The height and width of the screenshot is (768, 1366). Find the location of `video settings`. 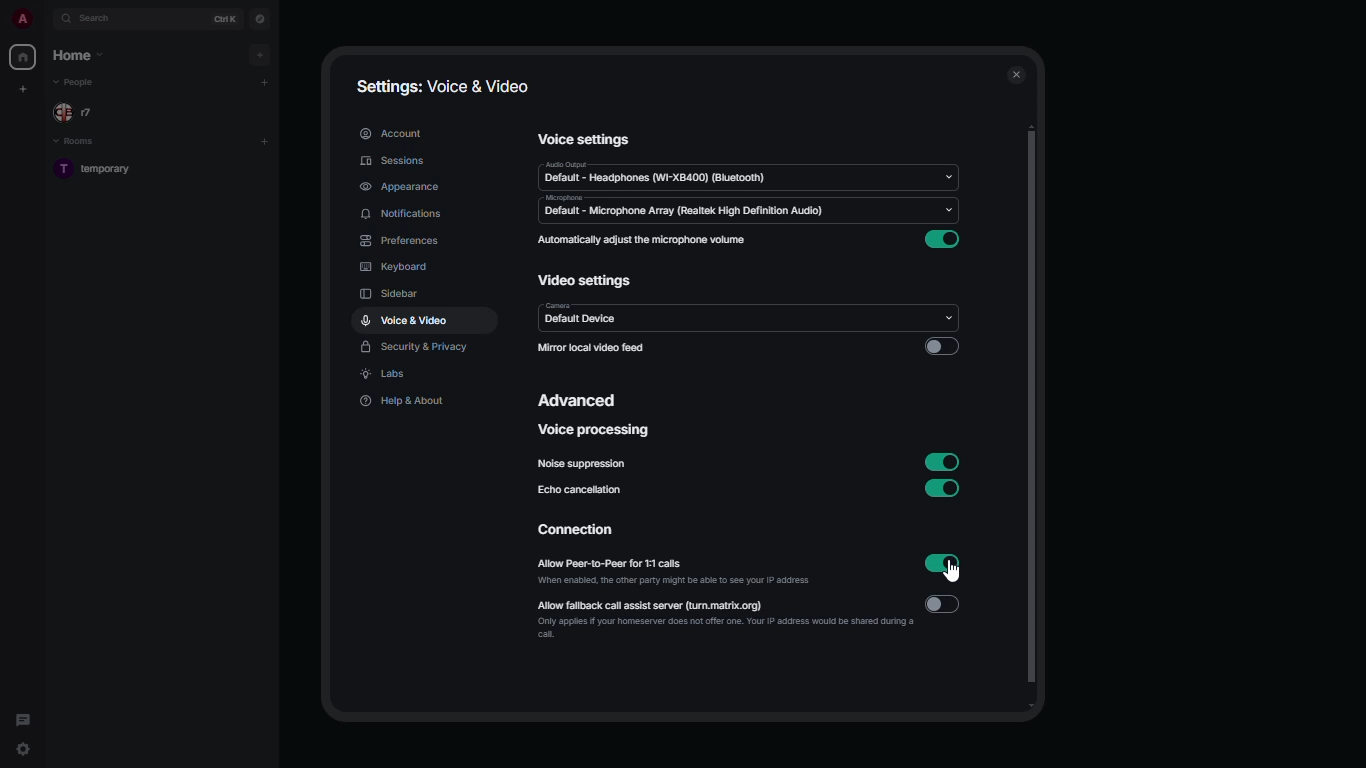

video settings is located at coordinates (587, 281).